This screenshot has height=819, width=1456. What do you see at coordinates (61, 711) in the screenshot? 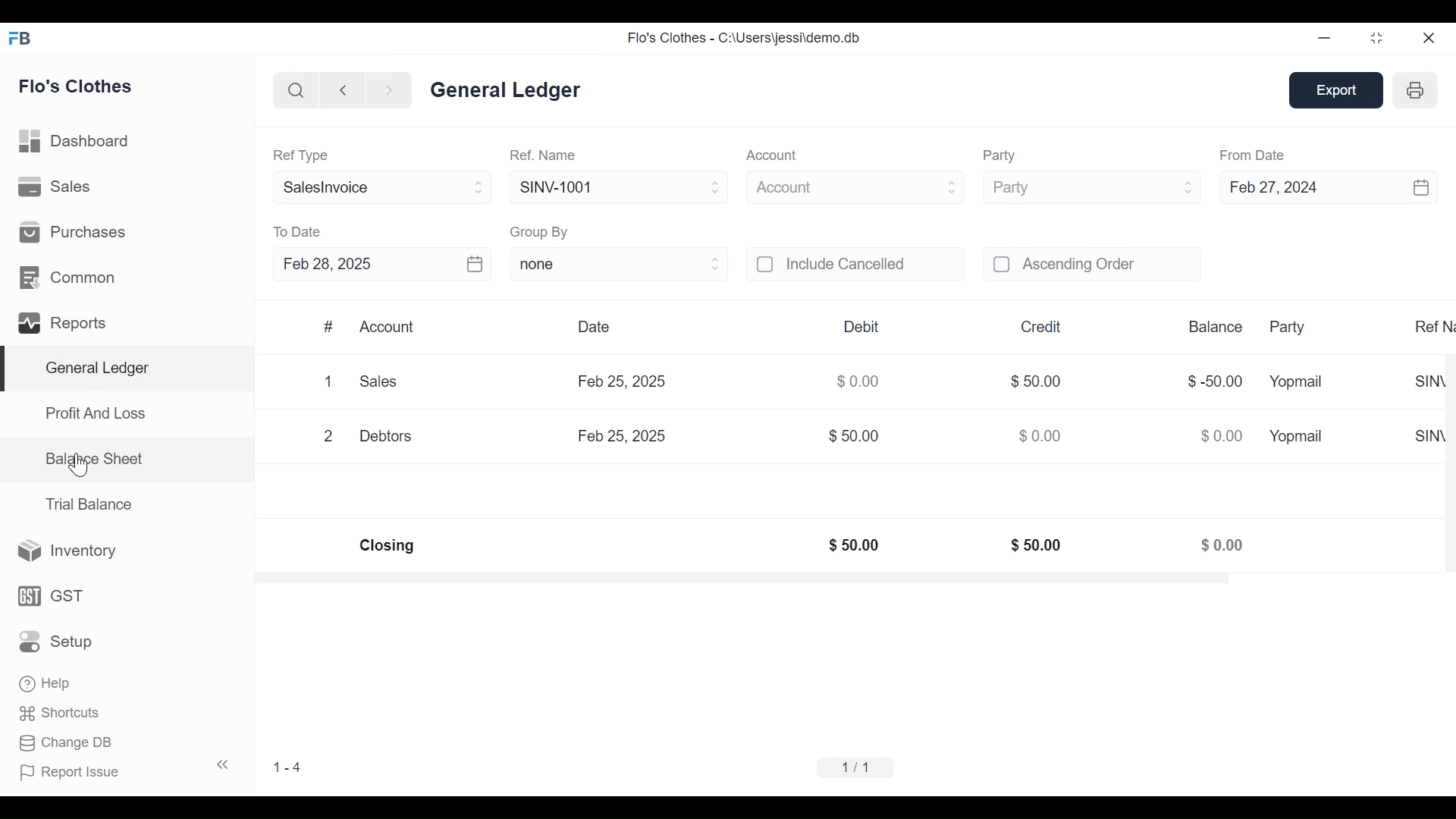
I see `Shortcuts` at bounding box center [61, 711].